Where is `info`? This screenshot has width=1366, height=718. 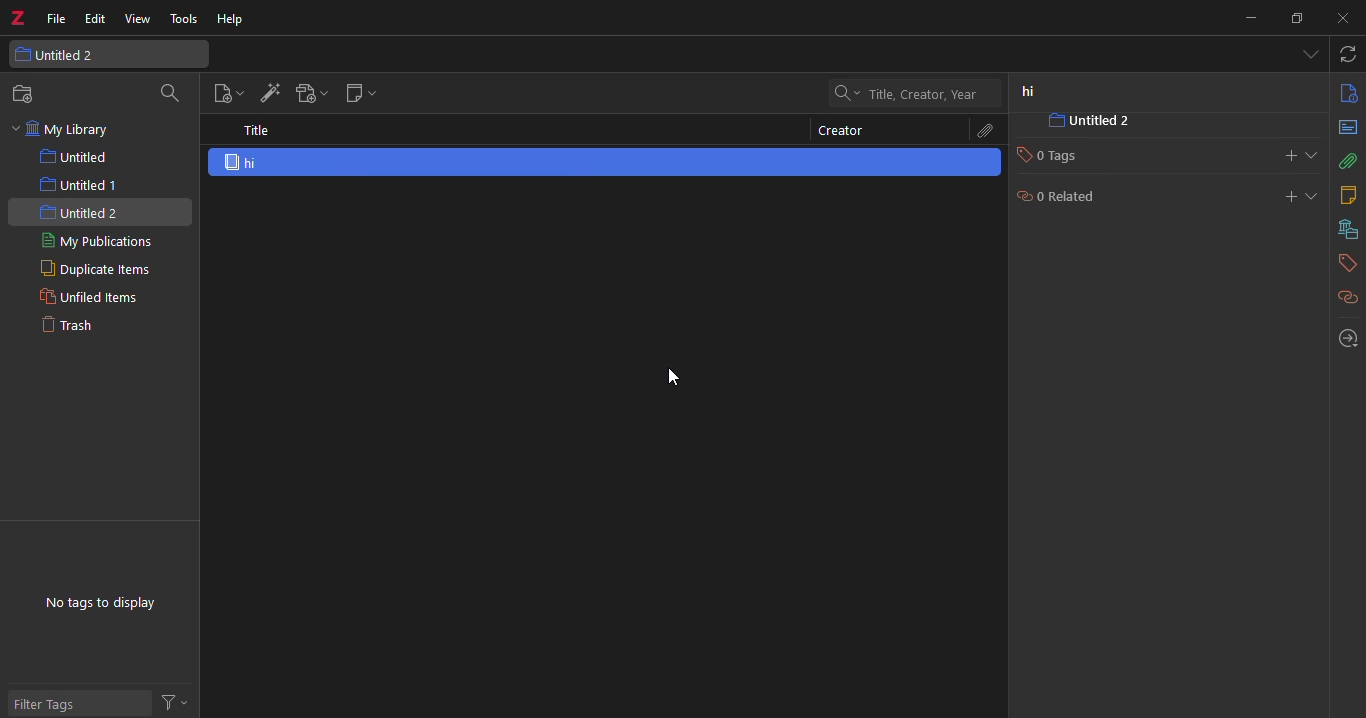
info is located at coordinates (1344, 94).